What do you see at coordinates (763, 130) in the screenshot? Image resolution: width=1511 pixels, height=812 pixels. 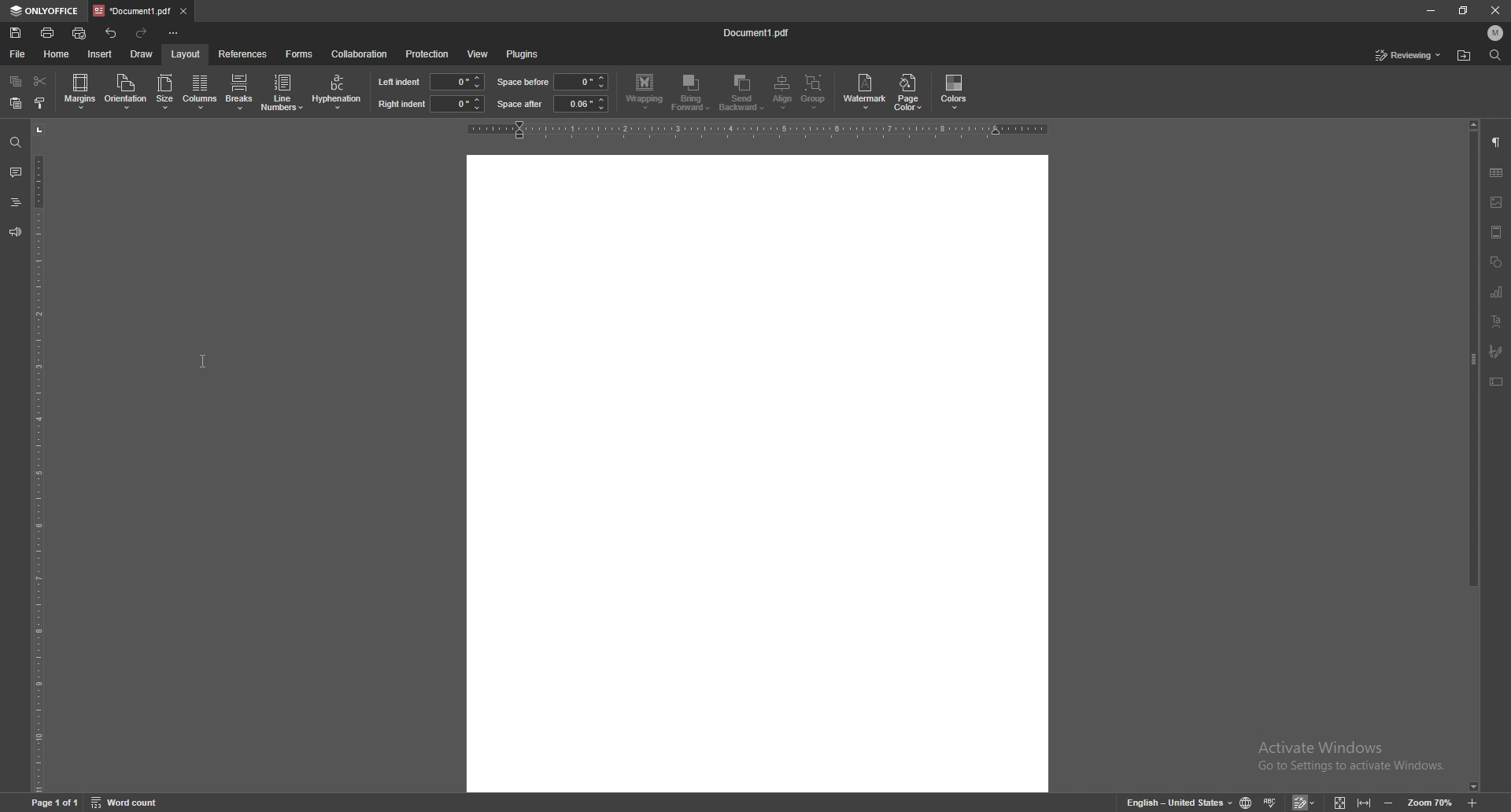 I see `horizontal scale` at bounding box center [763, 130].